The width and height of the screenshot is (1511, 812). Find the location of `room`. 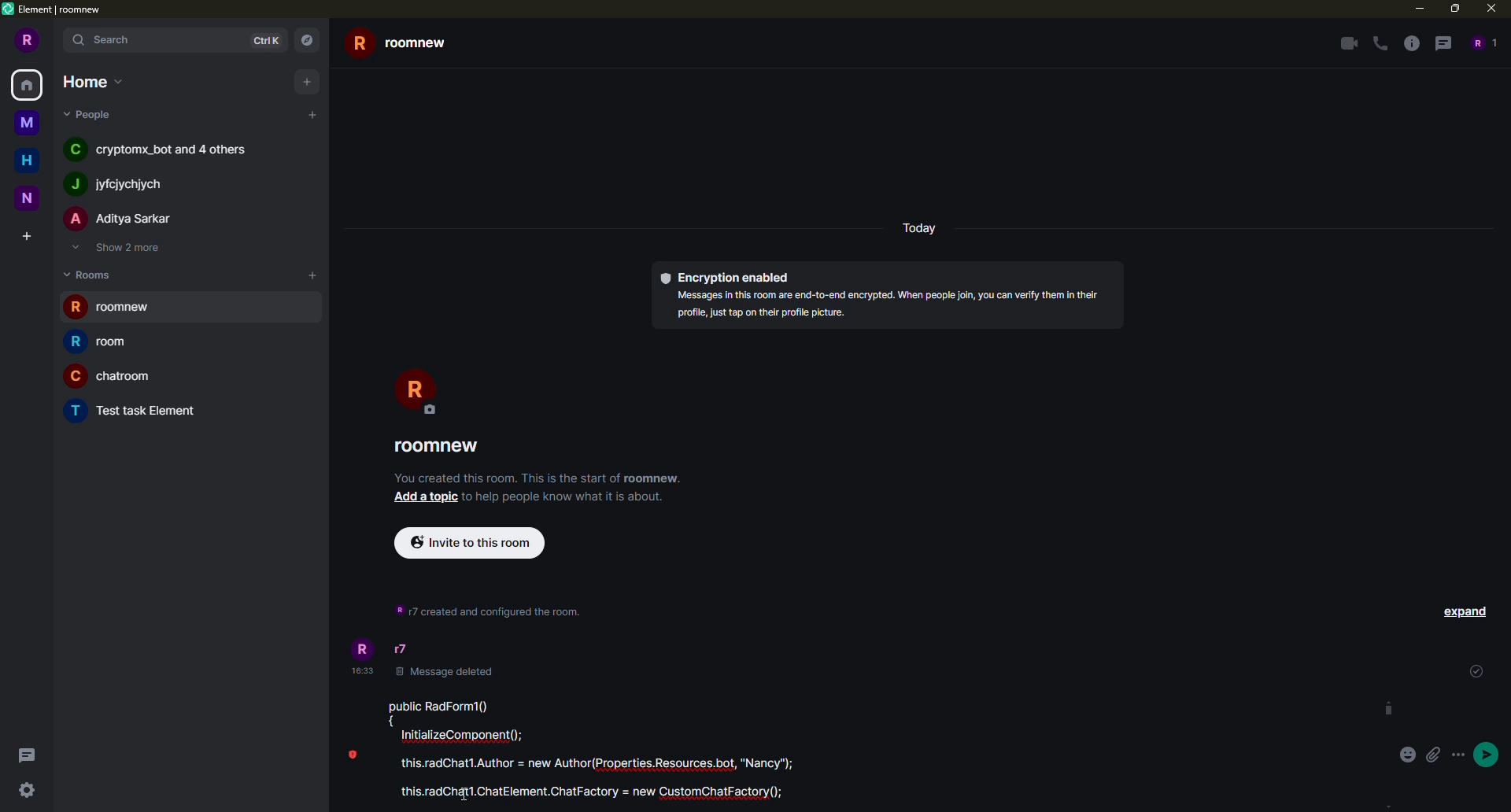

room is located at coordinates (408, 44).